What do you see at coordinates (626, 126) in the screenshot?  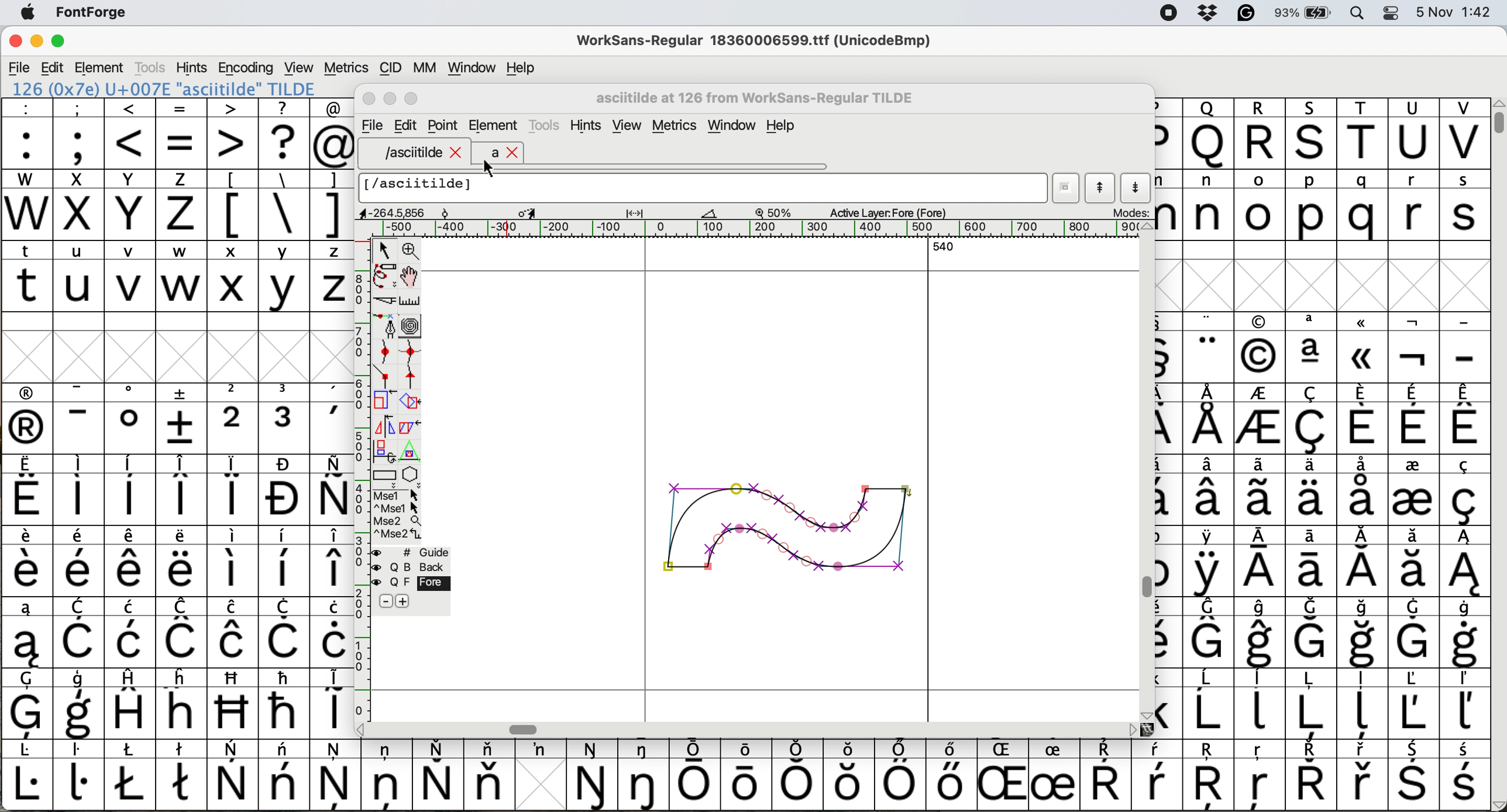 I see `view` at bounding box center [626, 126].